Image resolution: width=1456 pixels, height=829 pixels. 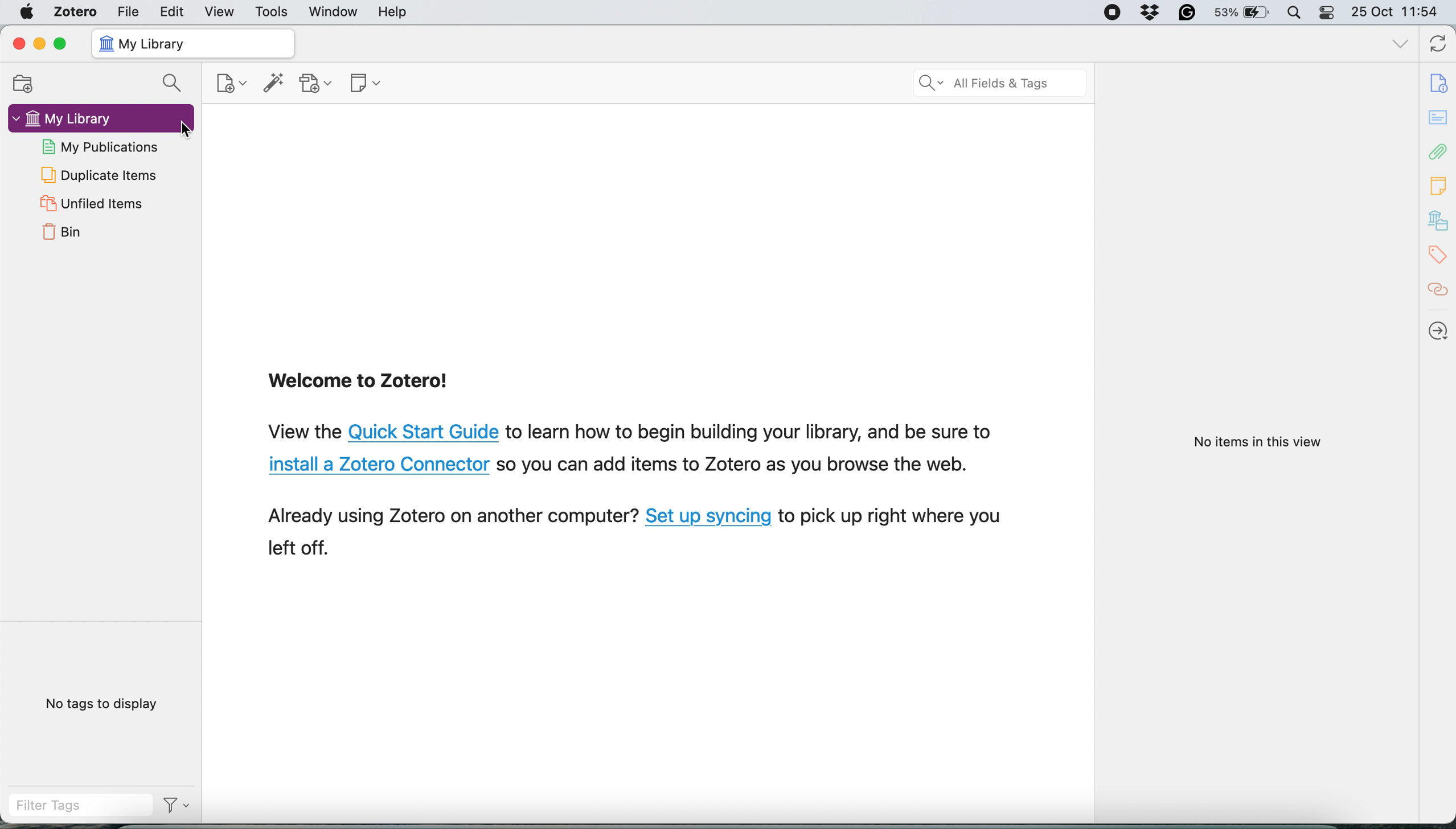 I want to click on document, so click(x=1441, y=84).